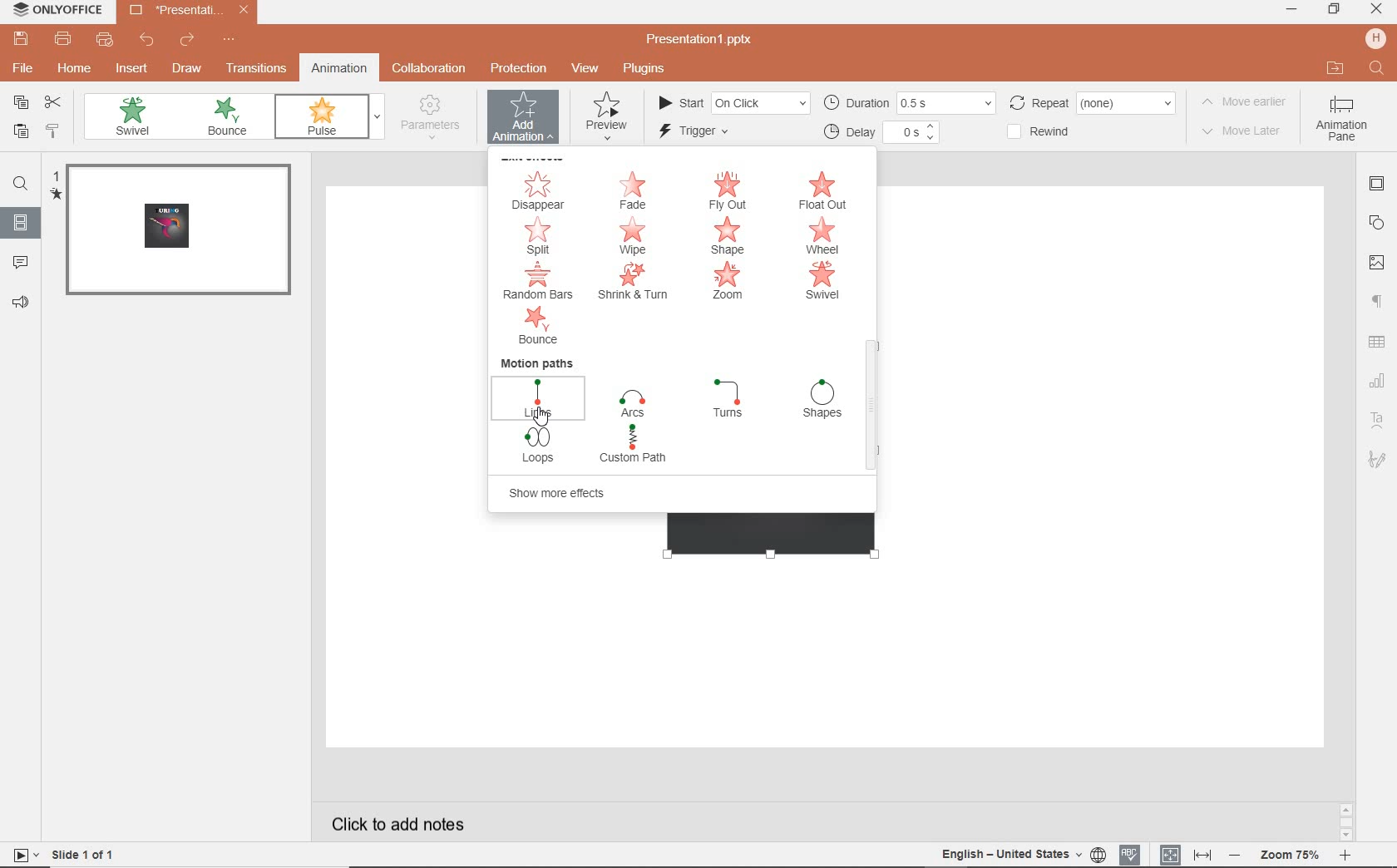 The height and width of the screenshot is (868, 1397). What do you see at coordinates (1244, 132) in the screenshot?
I see `move later` at bounding box center [1244, 132].